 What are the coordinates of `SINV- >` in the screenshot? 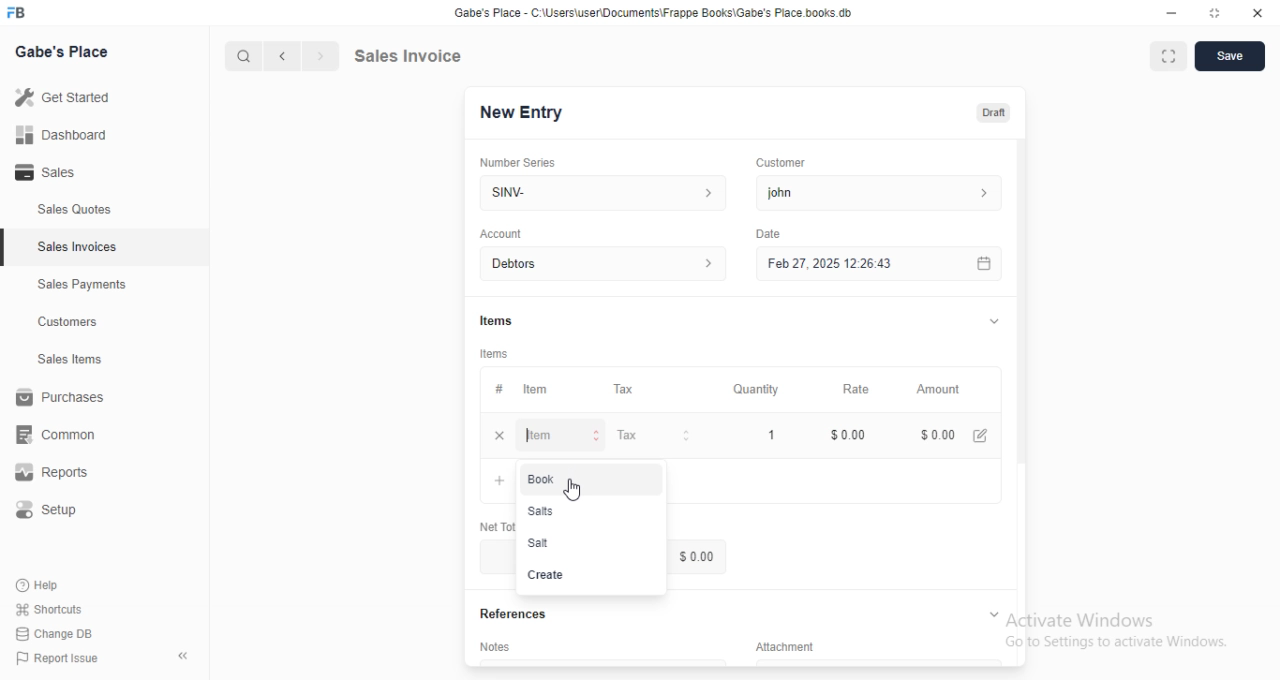 It's located at (597, 193).